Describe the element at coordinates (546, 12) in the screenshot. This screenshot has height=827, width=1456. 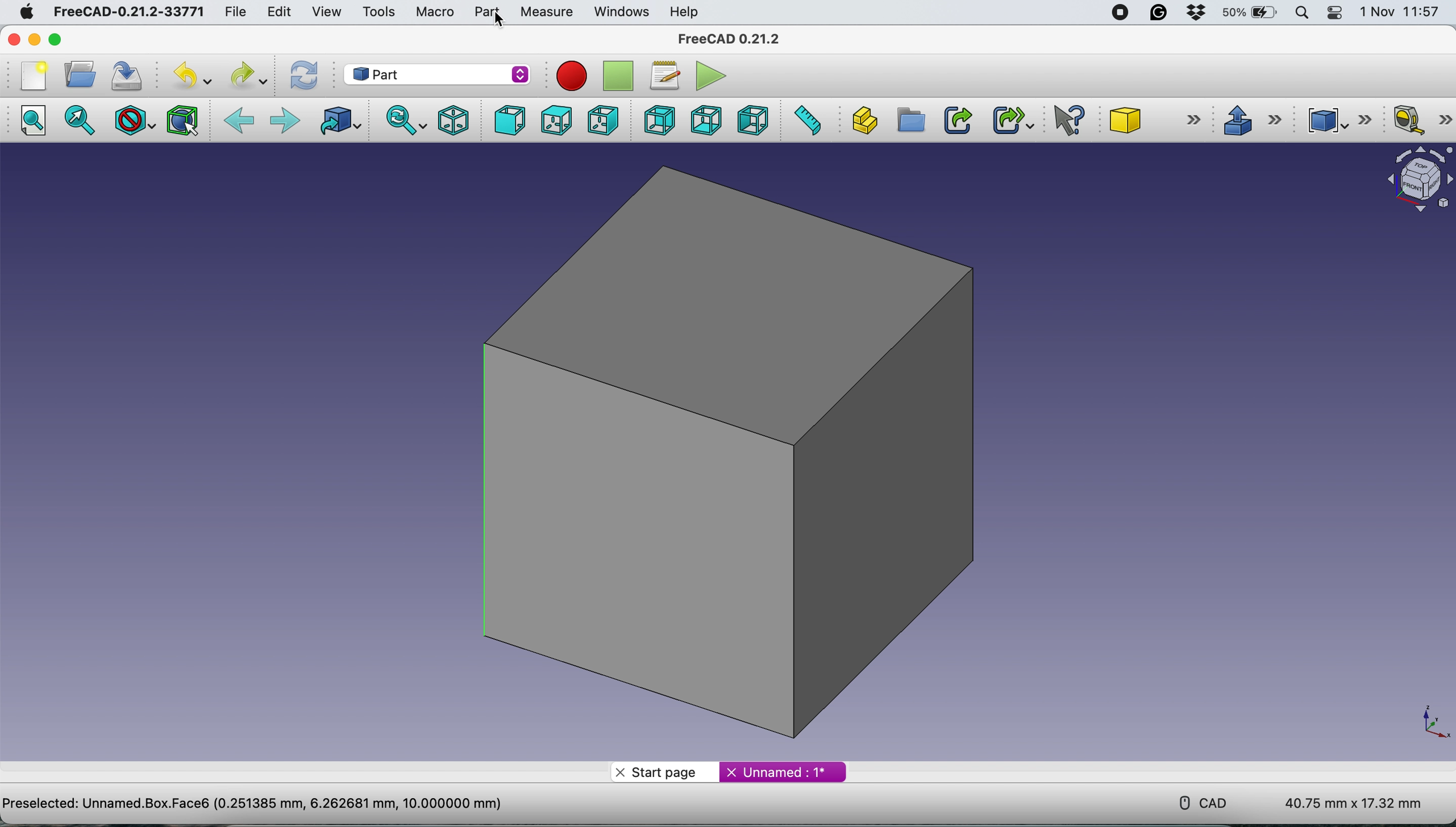
I see `measure` at that location.